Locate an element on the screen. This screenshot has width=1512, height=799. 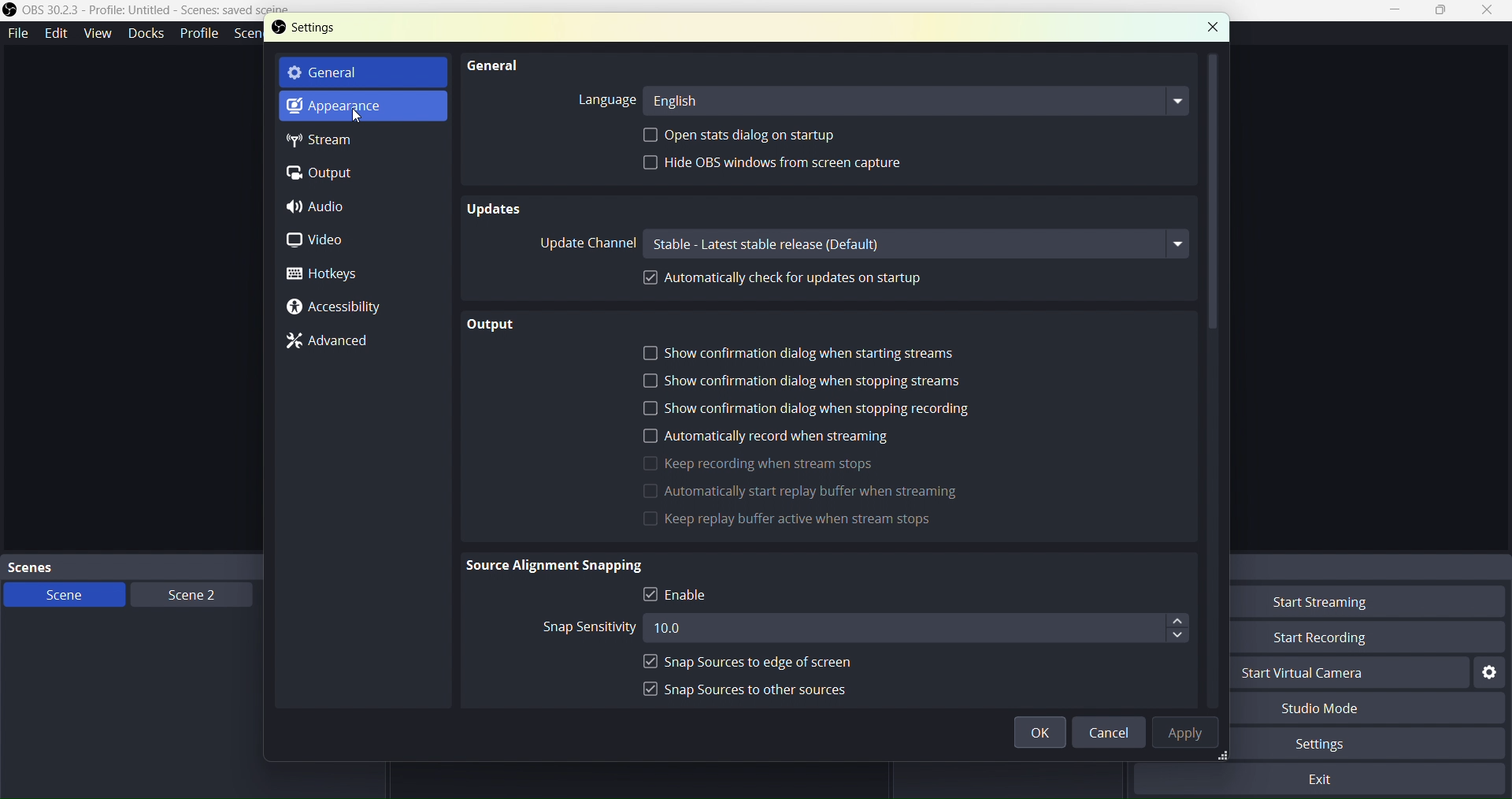
Scene2 is located at coordinates (186, 594).